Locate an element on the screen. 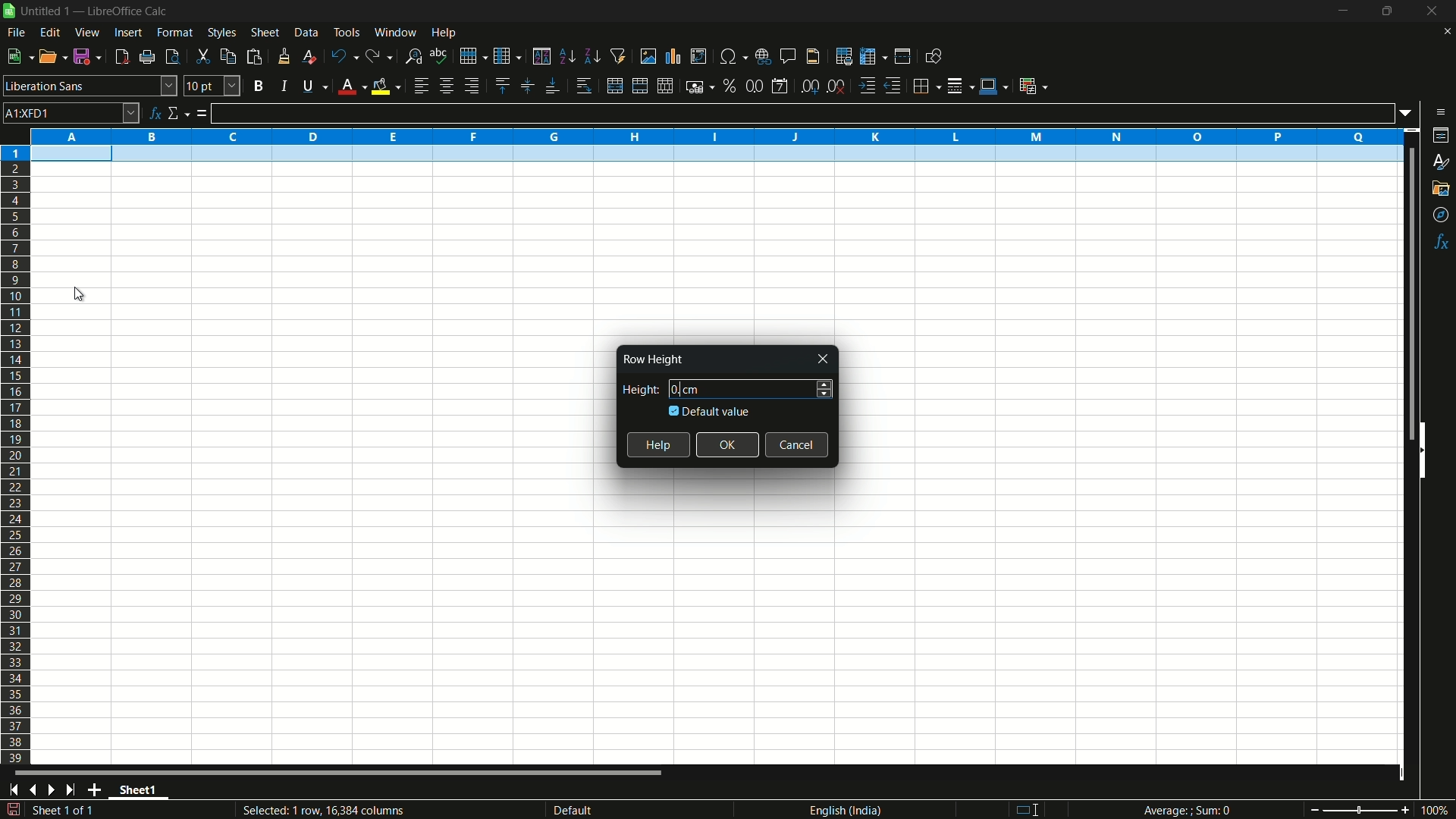  align left is located at coordinates (420, 86).